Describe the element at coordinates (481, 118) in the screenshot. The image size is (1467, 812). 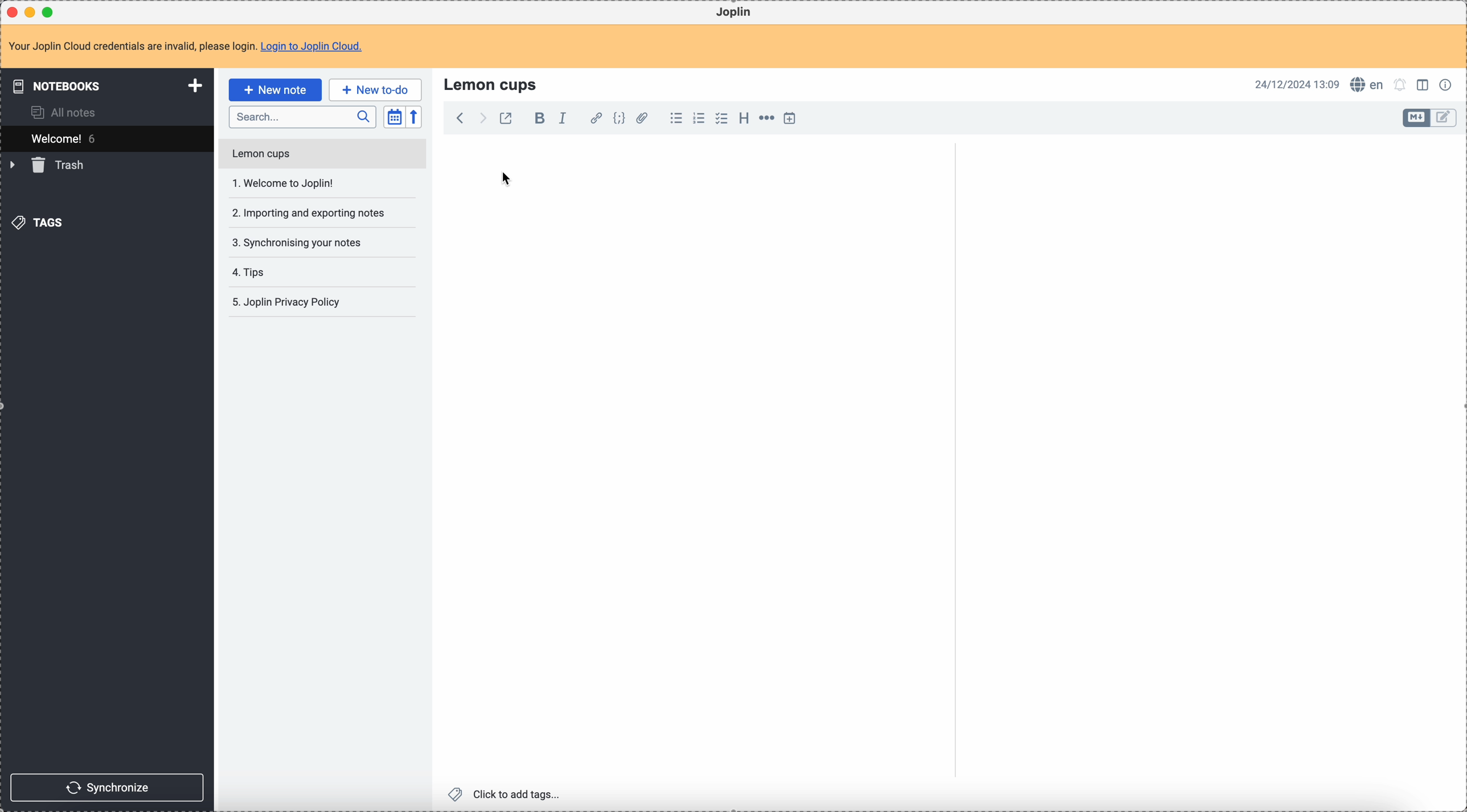
I see `foward` at that location.